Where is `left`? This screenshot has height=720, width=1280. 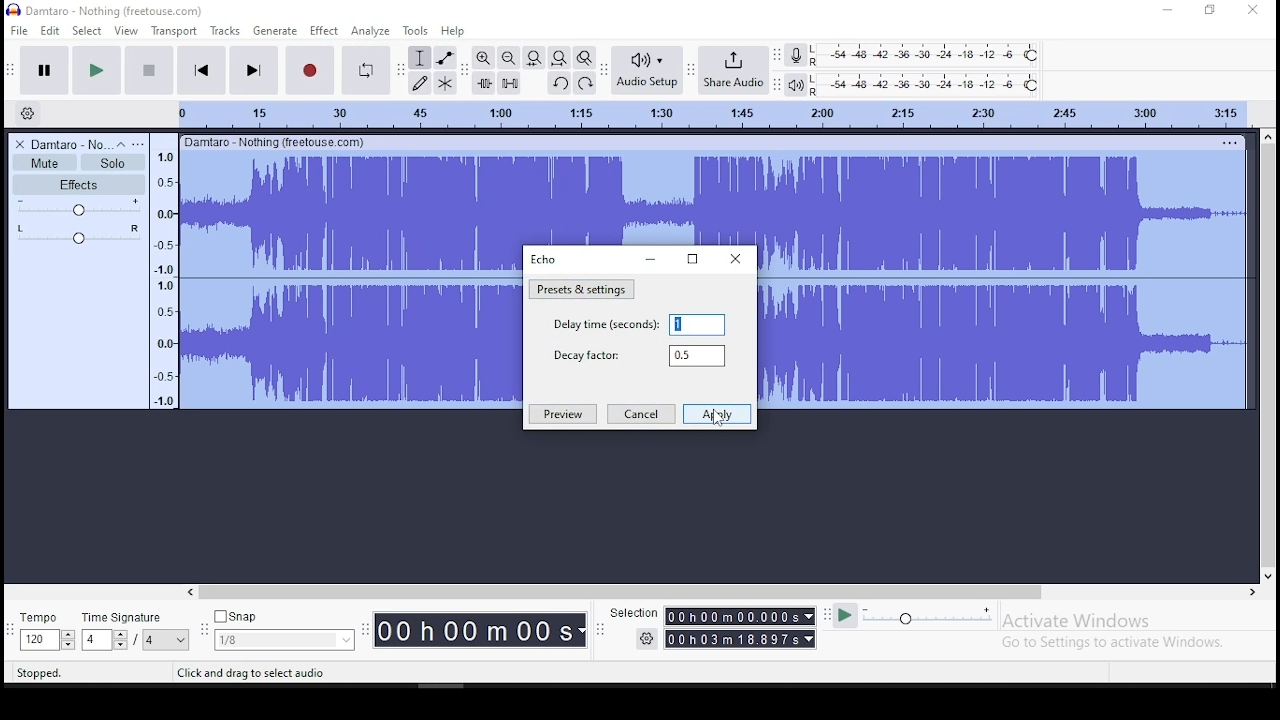 left is located at coordinates (193, 592).